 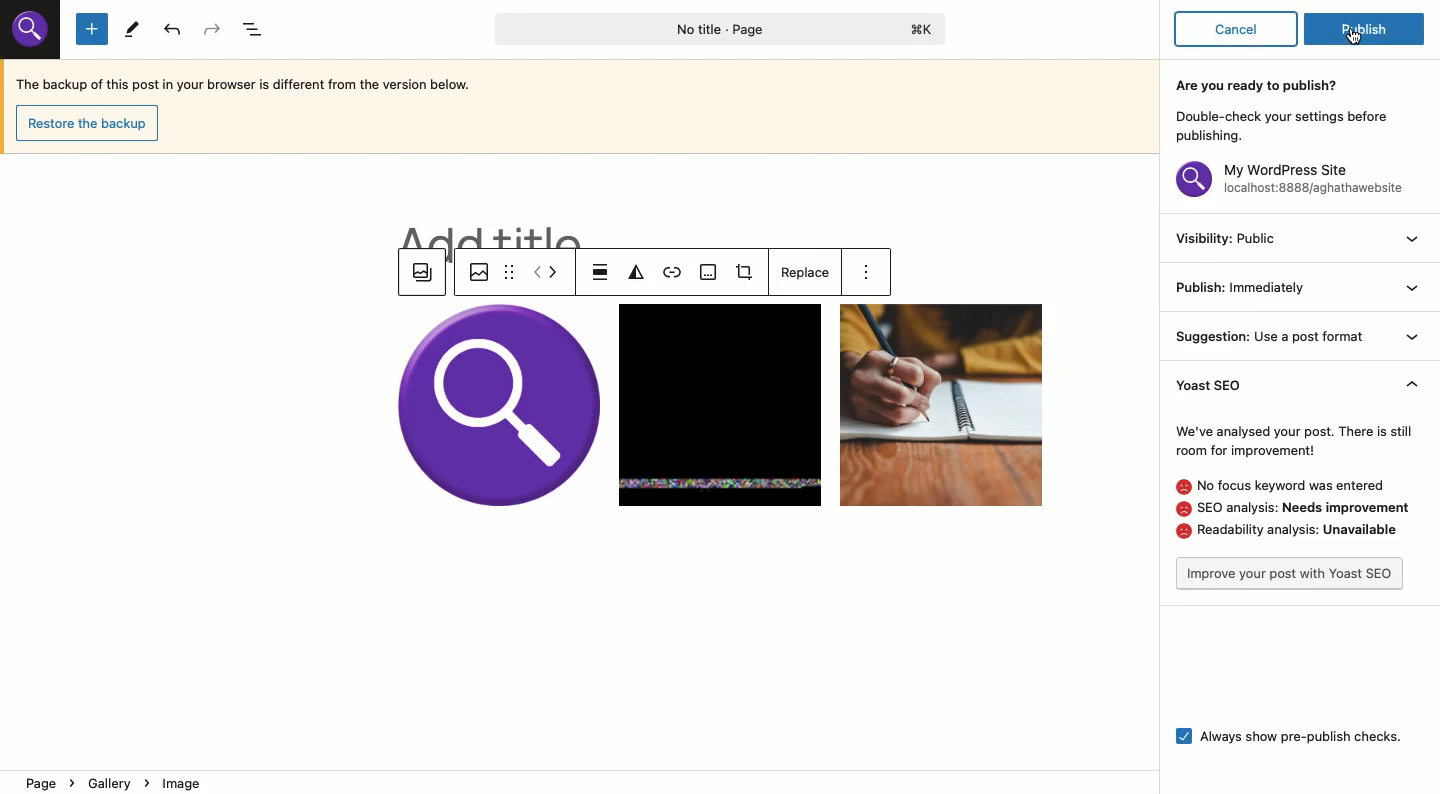 What do you see at coordinates (256, 29) in the screenshot?
I see `Document overview` at bounding box center [256, 29].